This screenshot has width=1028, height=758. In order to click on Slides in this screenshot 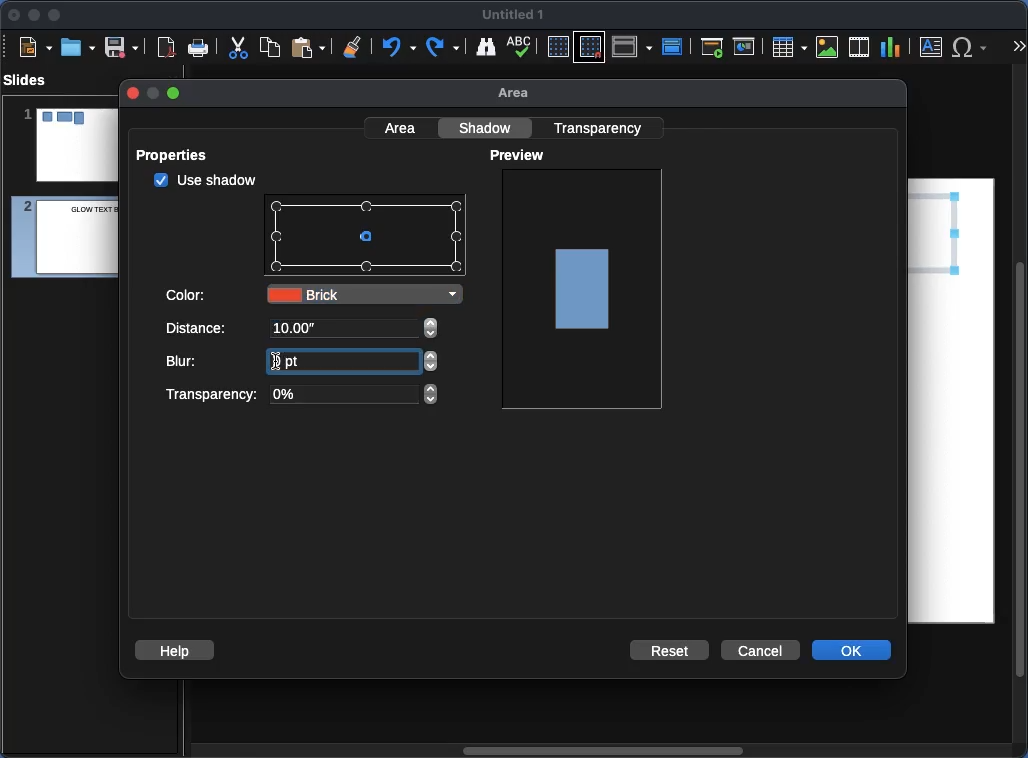, I will do `click(31, 80)`.